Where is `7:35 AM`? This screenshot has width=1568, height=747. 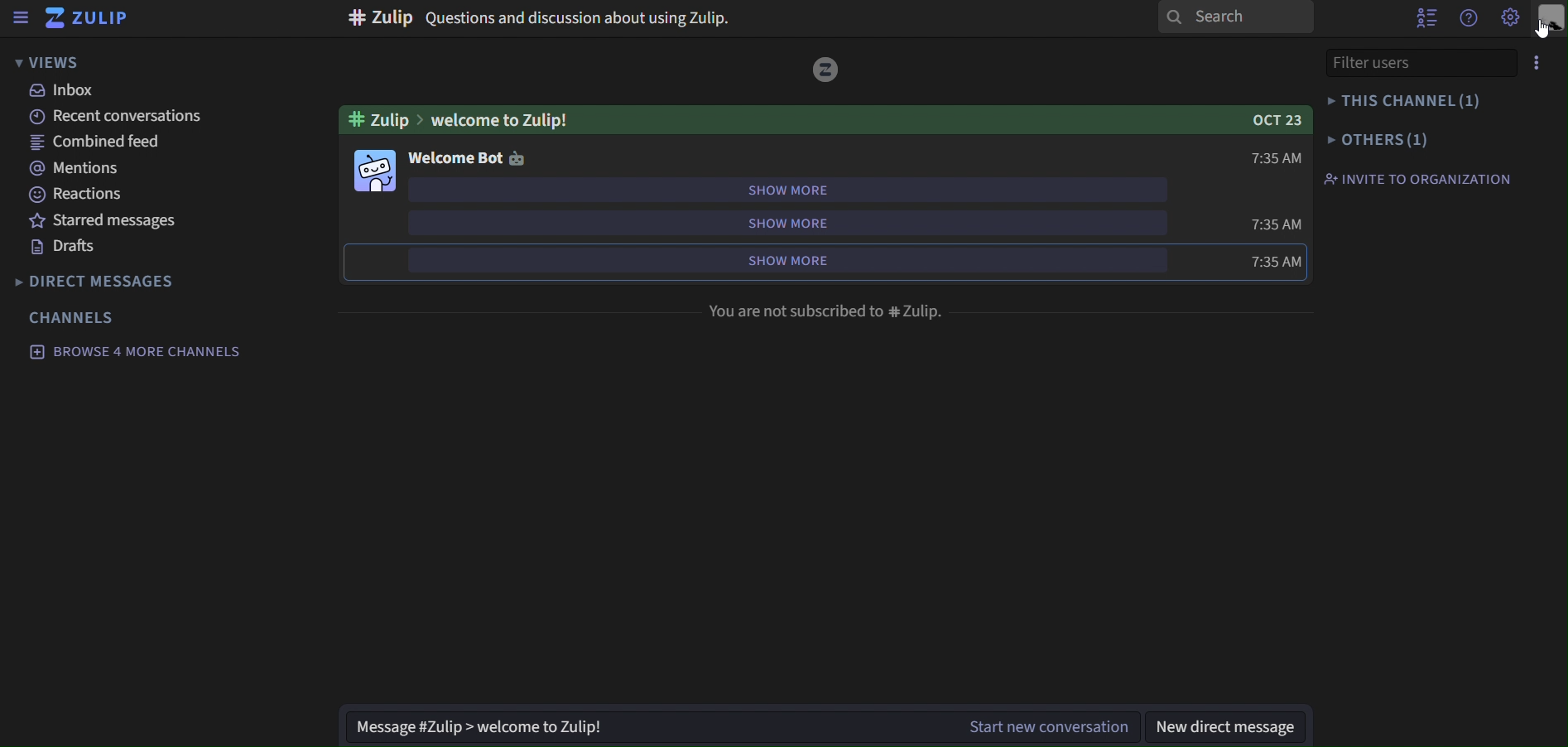
7:35 AM is located at coordinates (1270, 156).